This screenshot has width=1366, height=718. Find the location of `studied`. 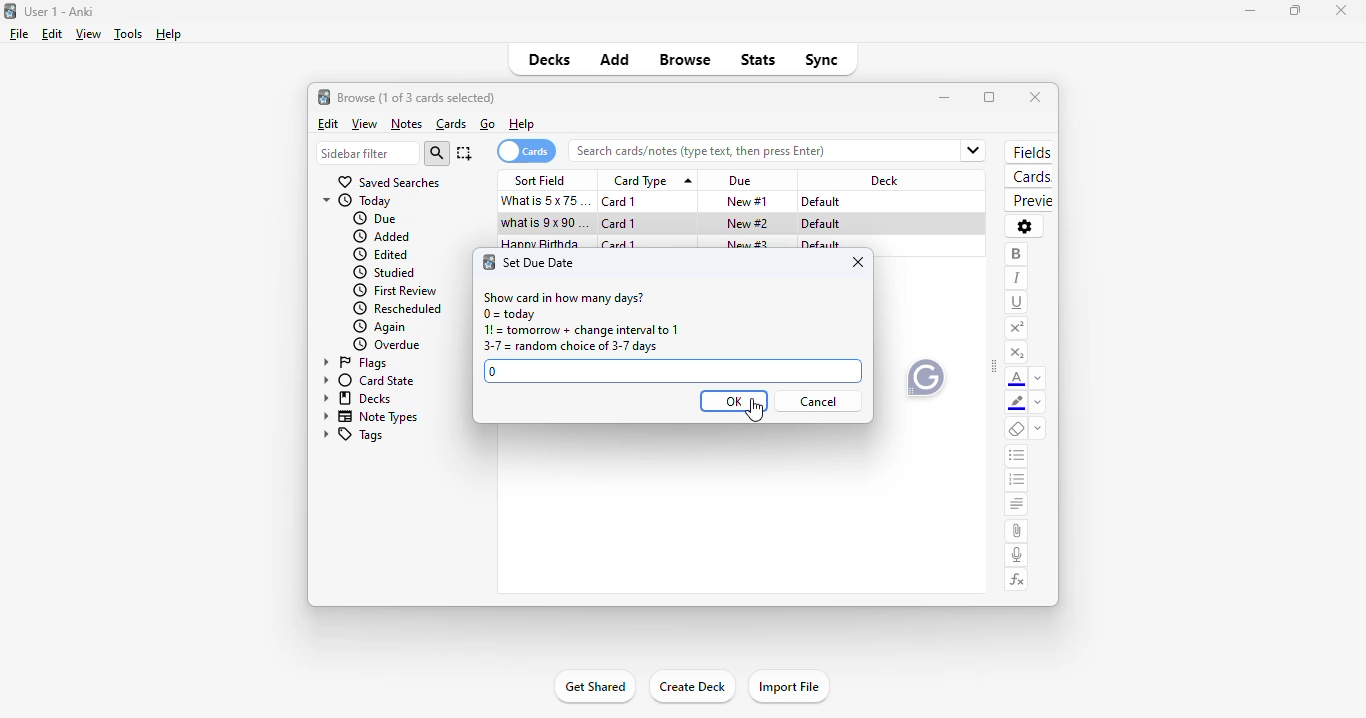

studied is located at coordinates (382, 272).